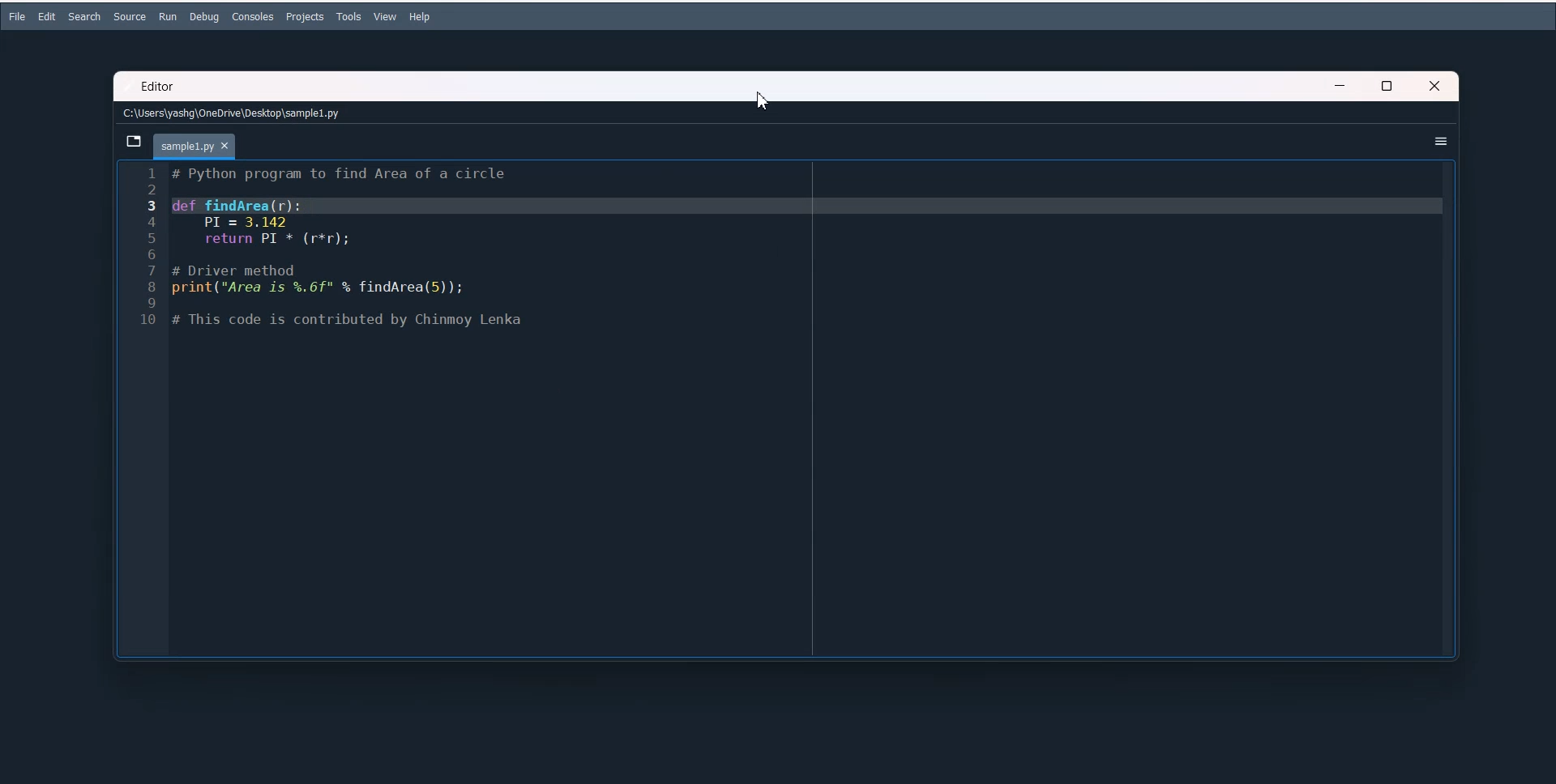 The image size is (1556, 784). I want to click on Tools, so click(349, 17).